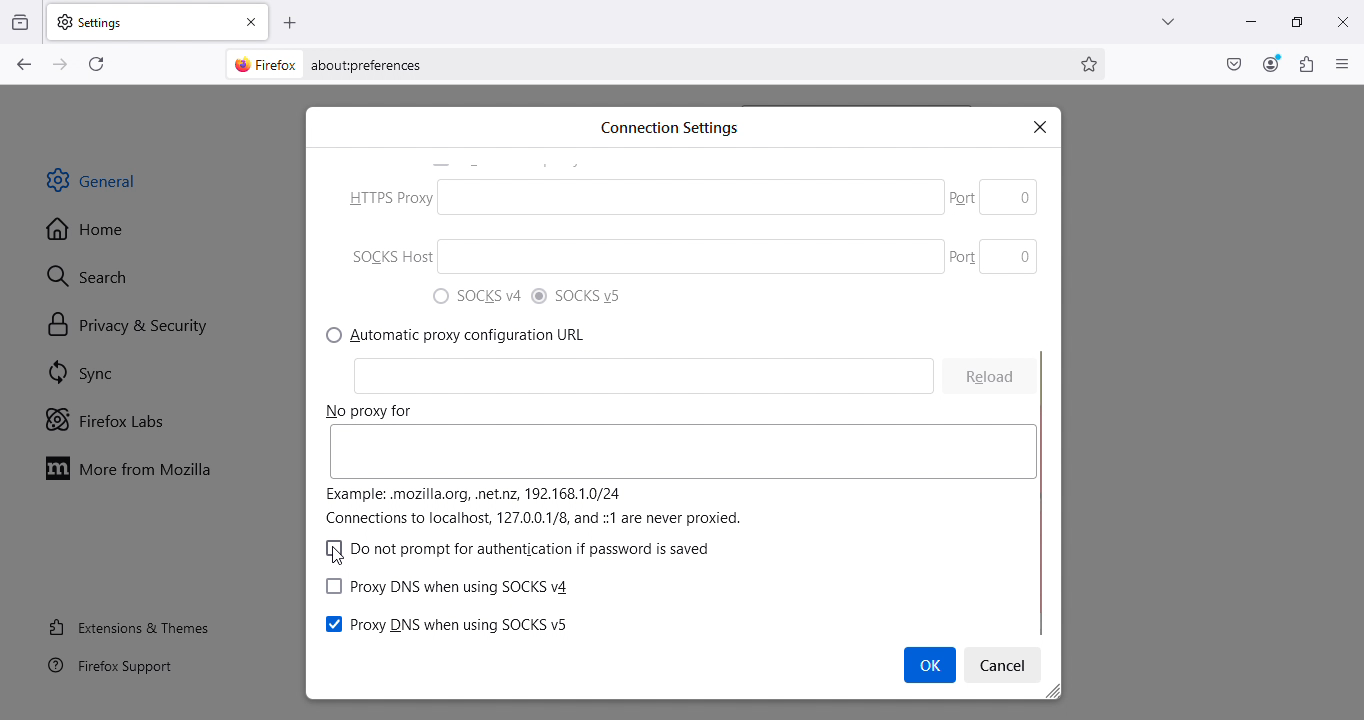 The image size is (1364, 720). What do you see at coordinates (255, 21) in the screenshot?
I see `Close tab` at bounding box center [255, 21].